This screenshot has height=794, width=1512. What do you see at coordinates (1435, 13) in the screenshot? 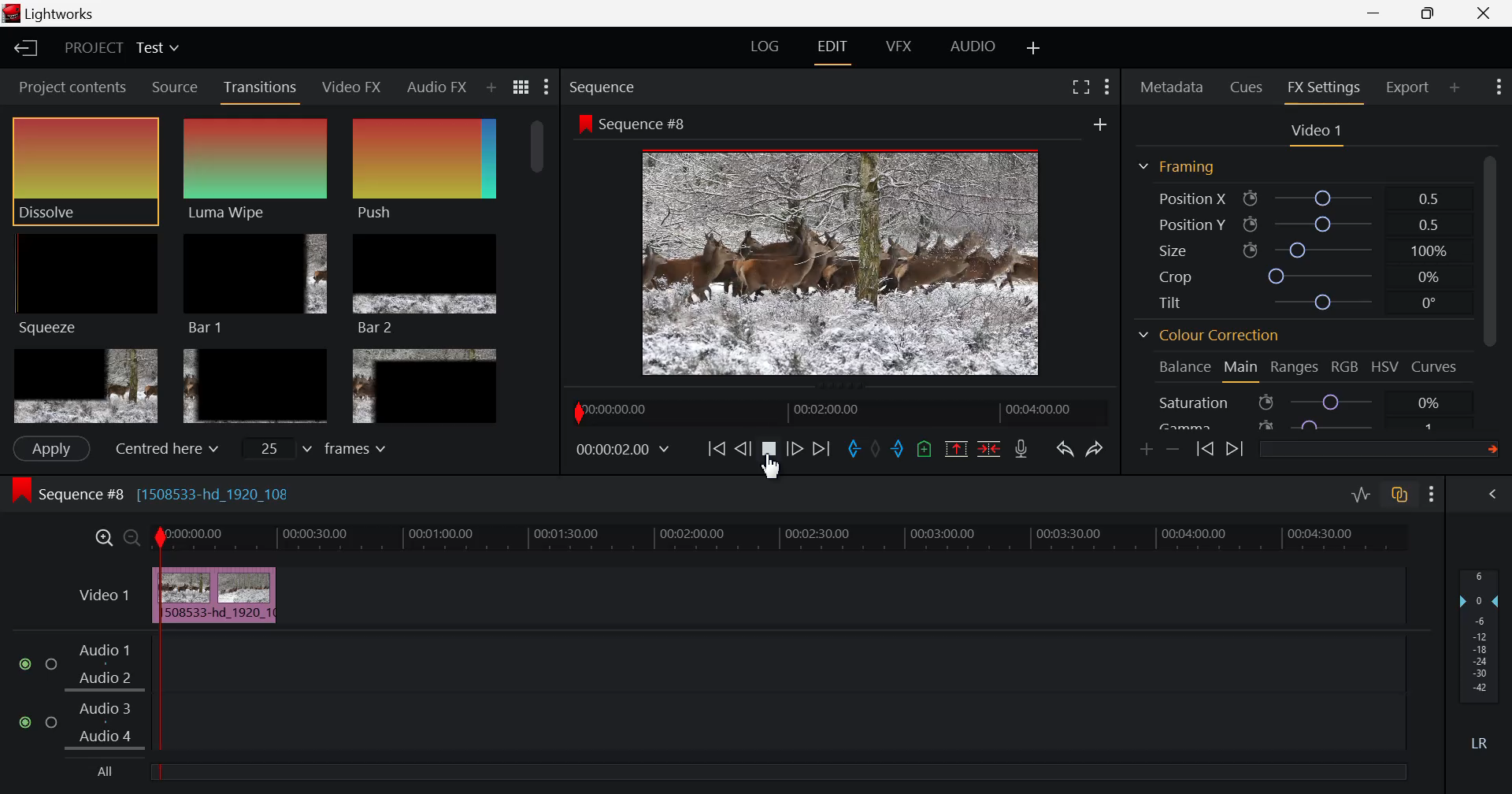
I see `Minimize` at bounding box center [1435, 13].